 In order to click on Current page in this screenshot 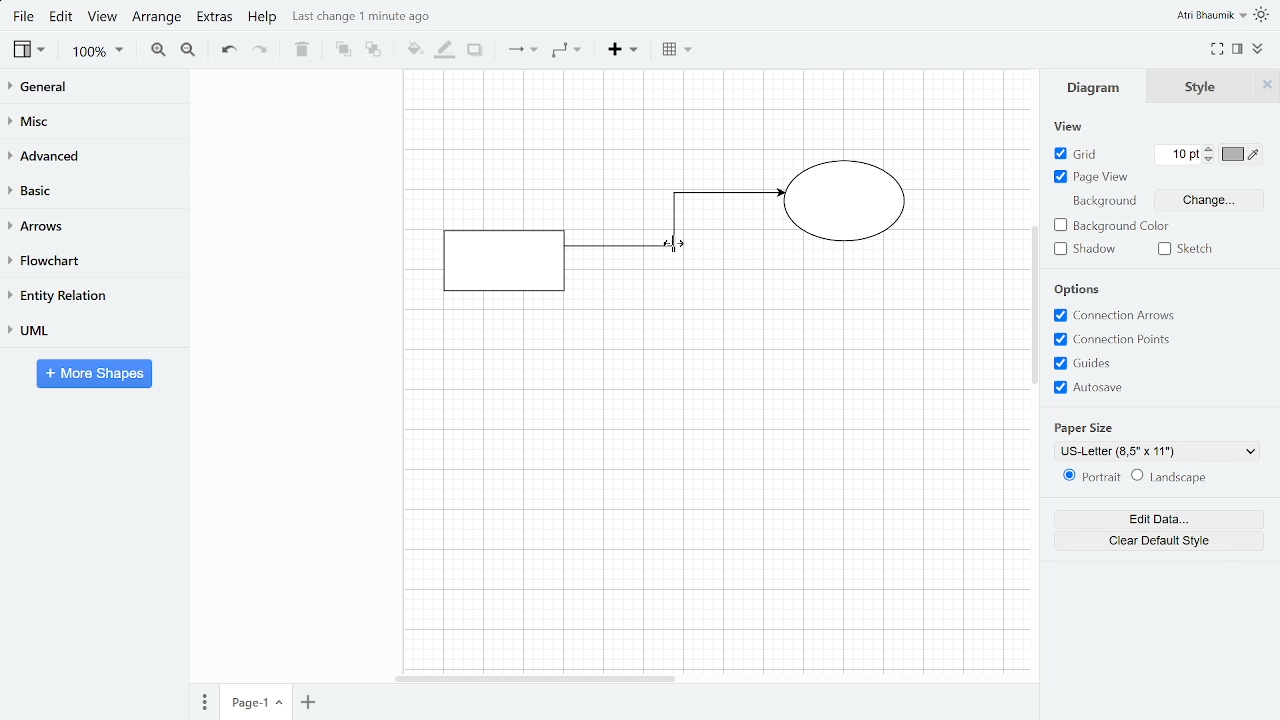, I will do `click(306, 703)`.